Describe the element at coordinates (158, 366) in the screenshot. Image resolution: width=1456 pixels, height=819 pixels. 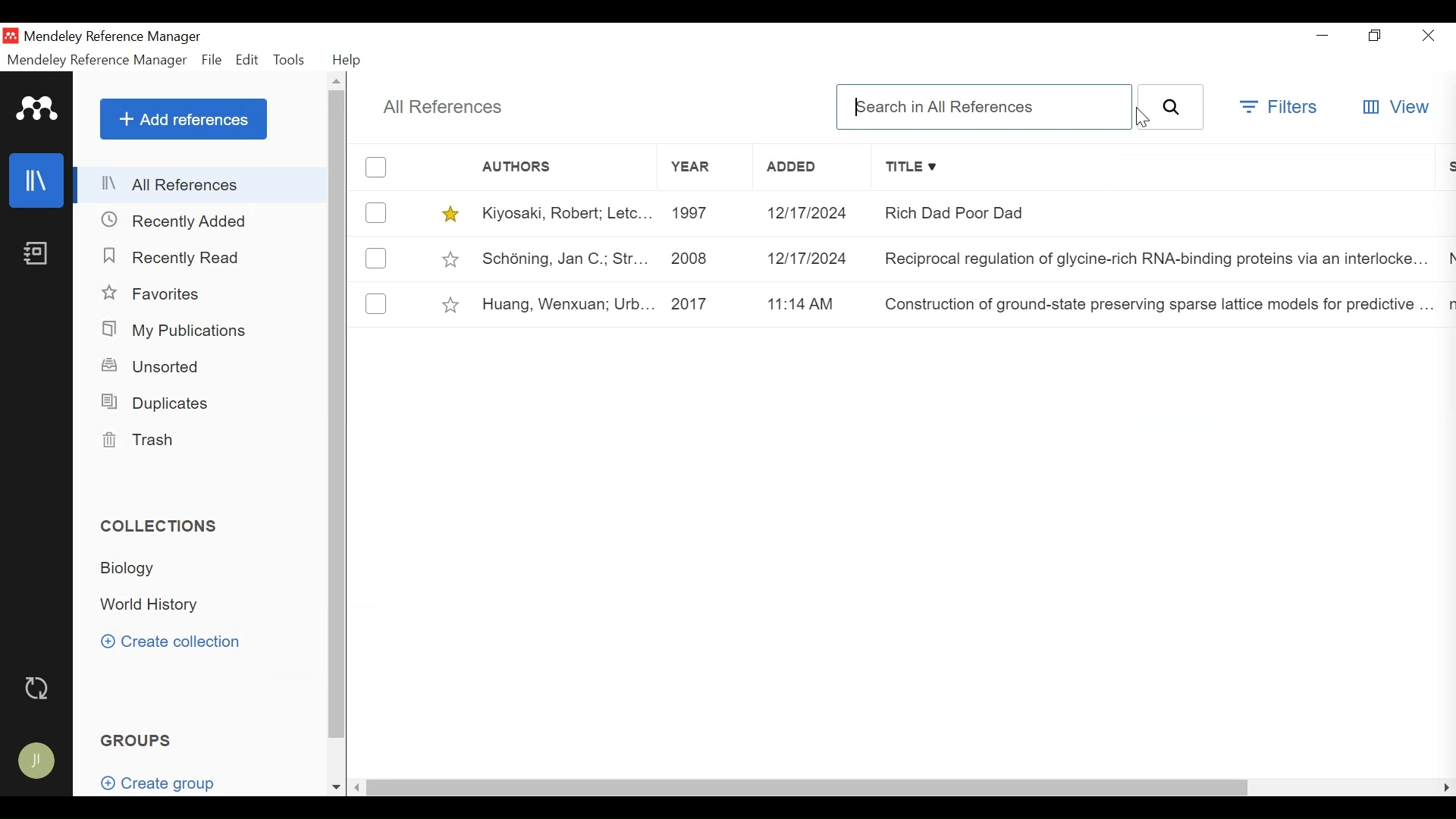
I see `Unsorted` at that location.